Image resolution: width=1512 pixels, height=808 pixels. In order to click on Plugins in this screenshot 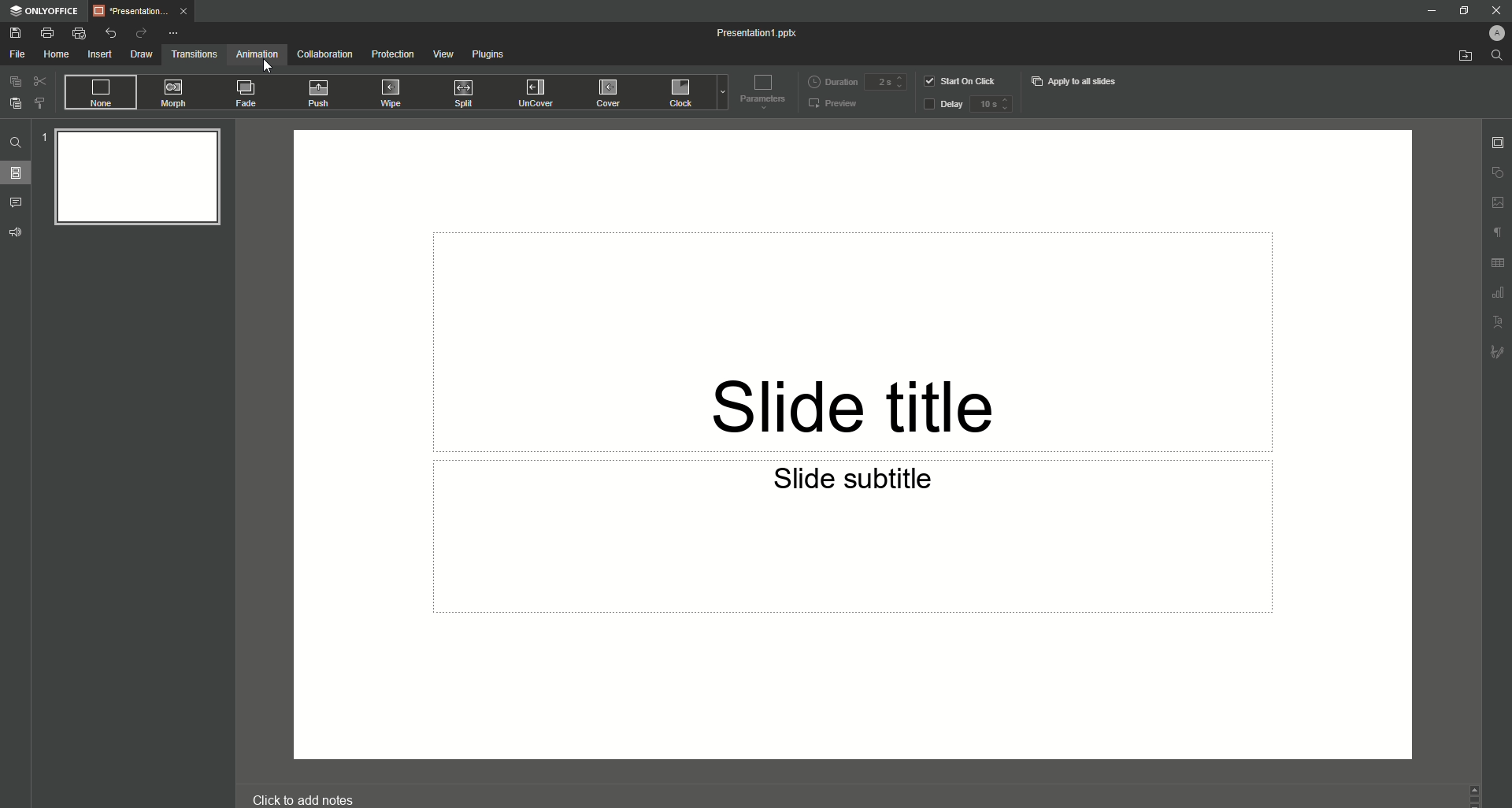, I will do `click(488, 54)`.